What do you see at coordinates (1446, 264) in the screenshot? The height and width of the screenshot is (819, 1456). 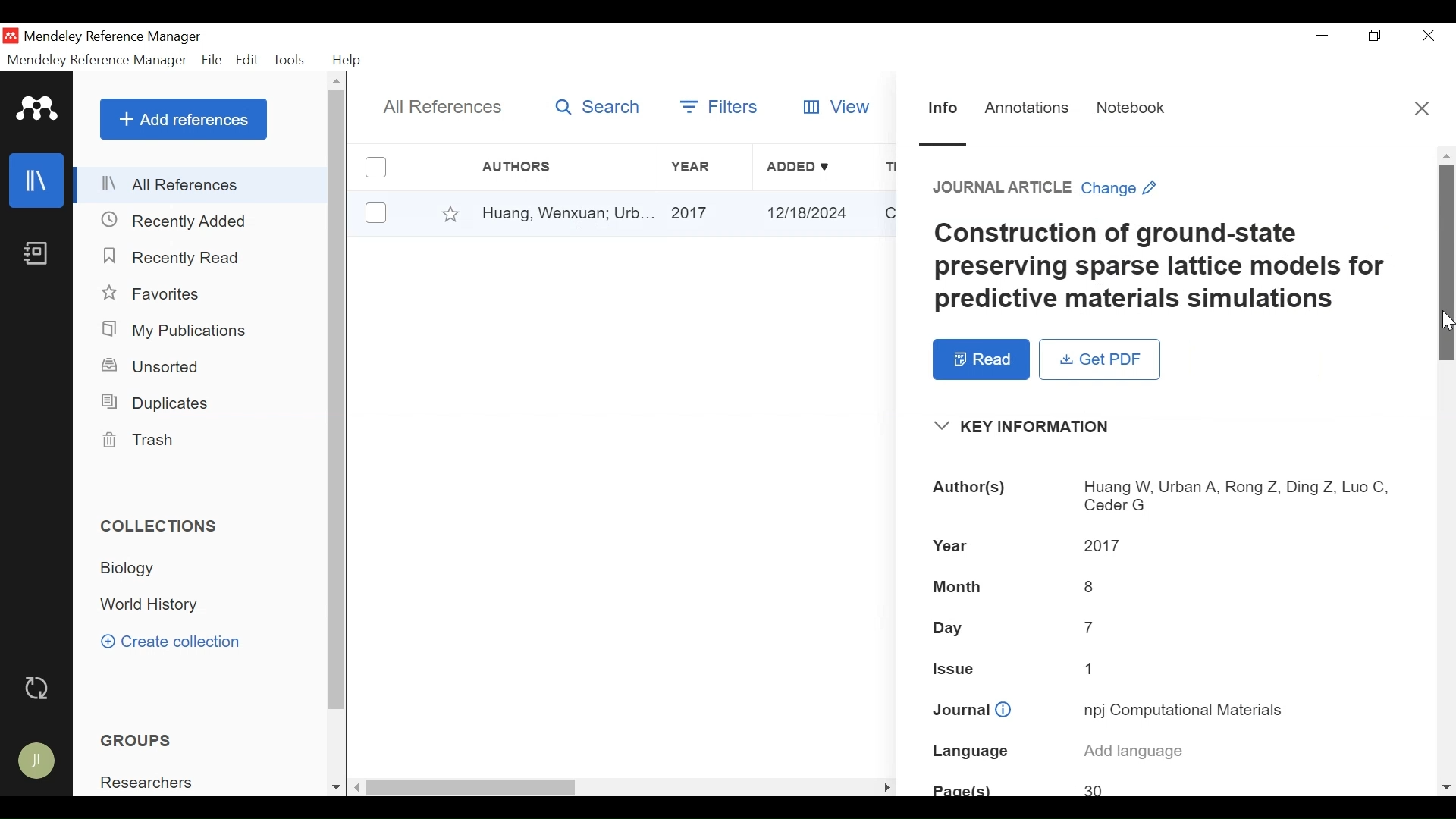 I see `Vertical Scroll bar` at bounding box center [1446, 264].